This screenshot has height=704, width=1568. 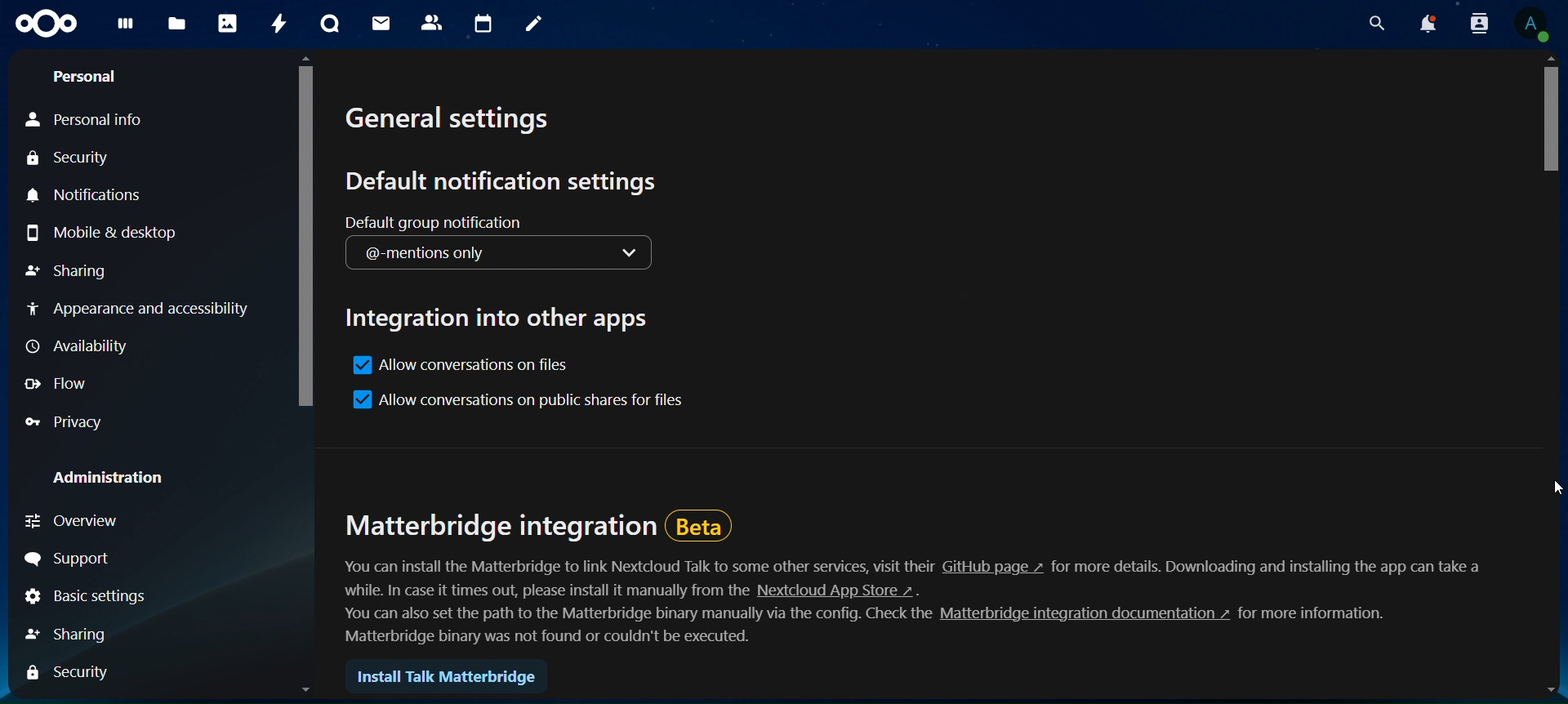 I want to click on text, so click(x=639, y=566).